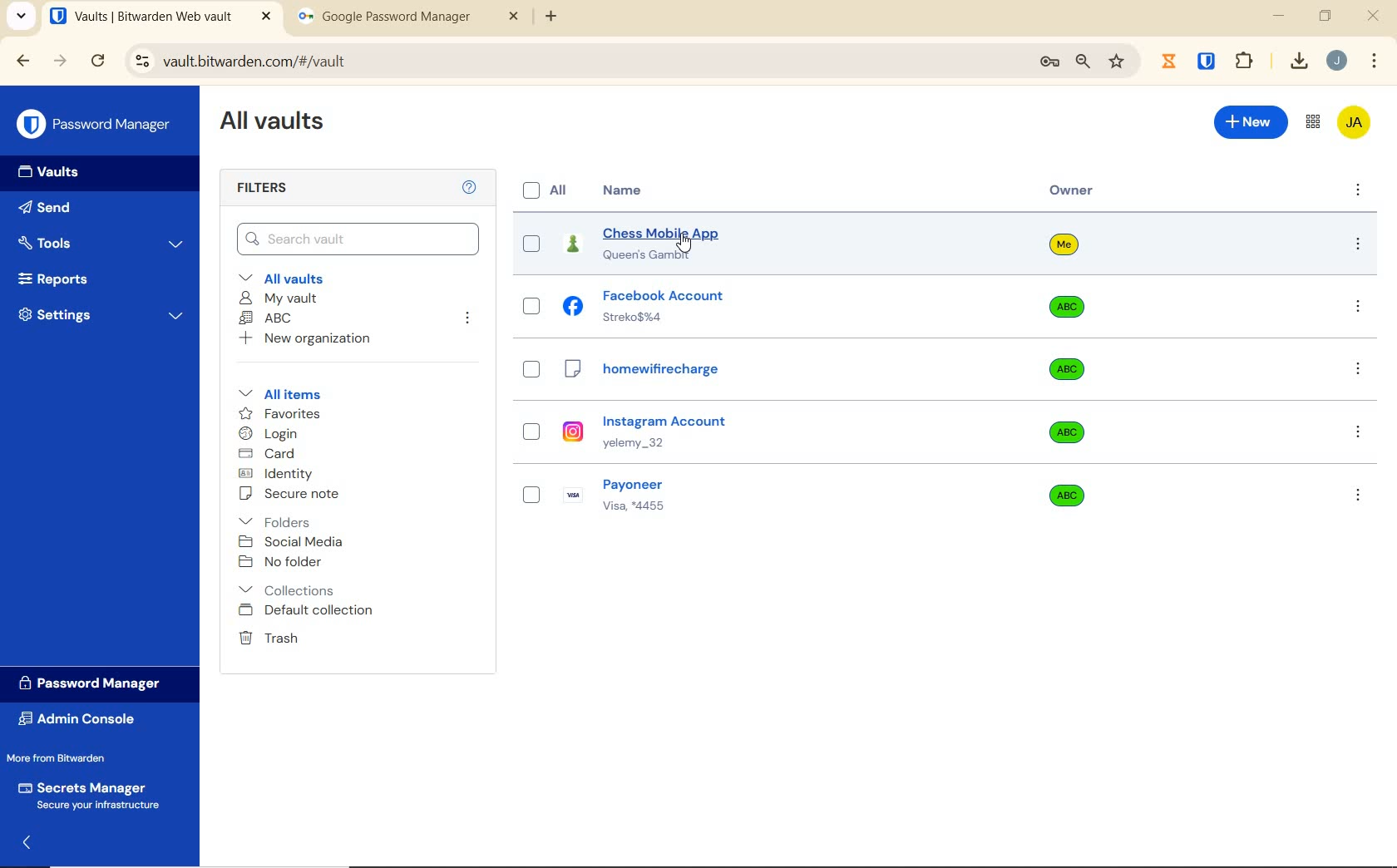  Describe the element at coordinates (1281, 16) in the screenshot. I see `minimize` at that location.